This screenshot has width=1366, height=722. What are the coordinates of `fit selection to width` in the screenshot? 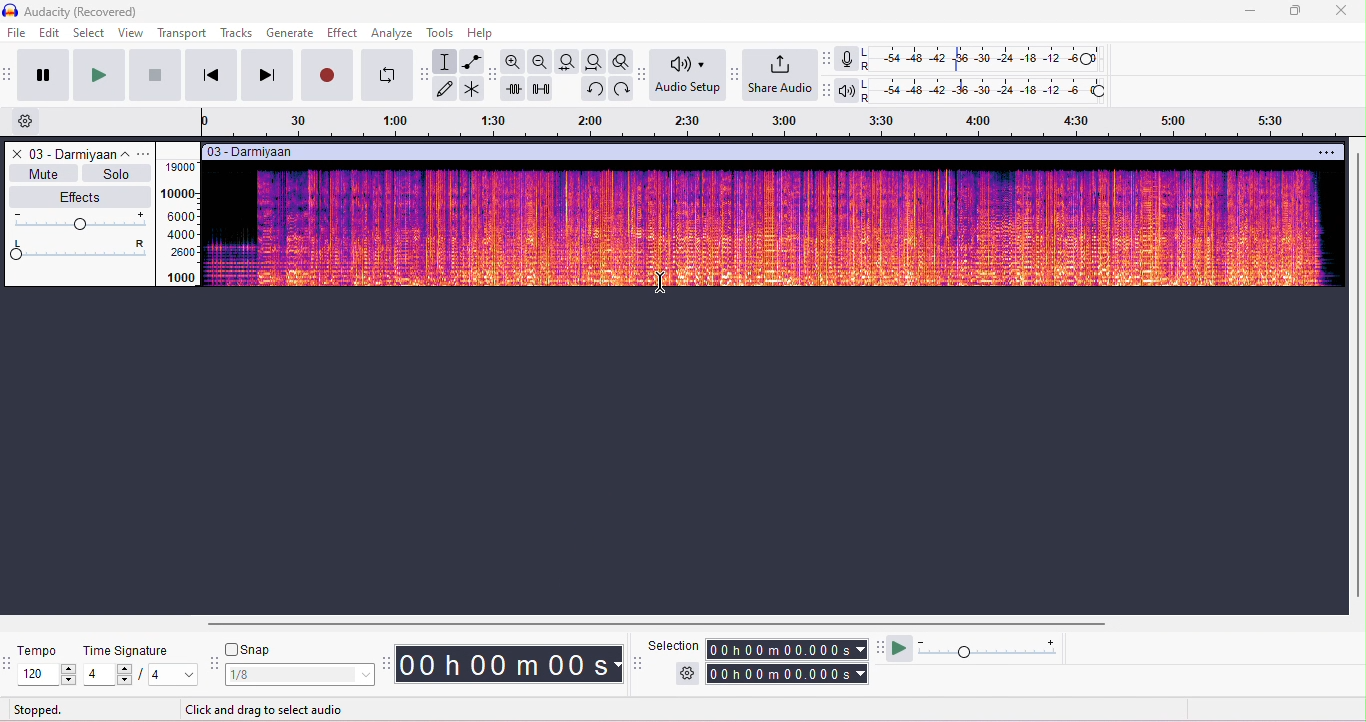 It's located at (569, 62).